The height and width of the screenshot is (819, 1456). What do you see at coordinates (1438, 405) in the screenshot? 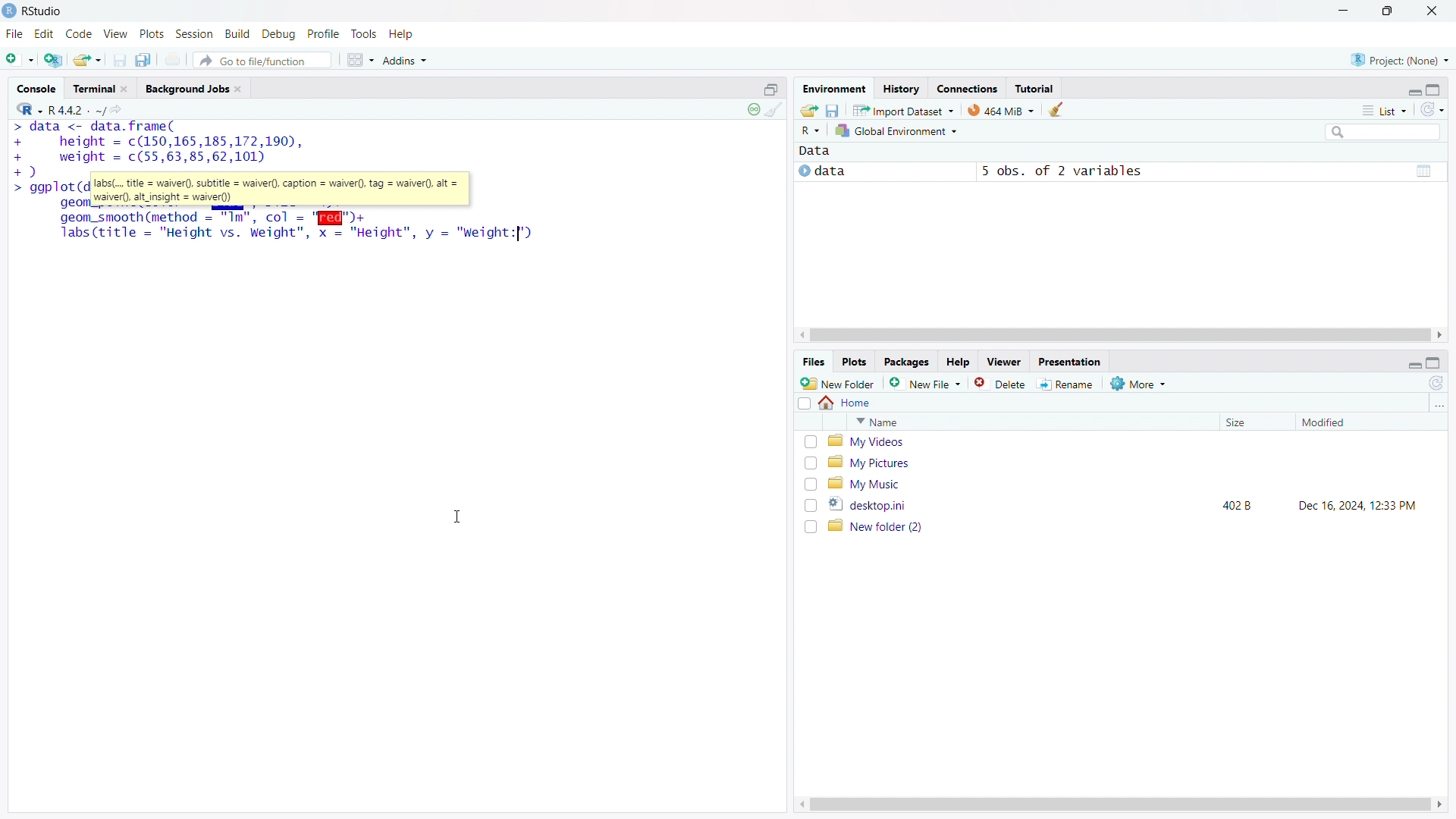
I see `go to directory` at bounding box center [1438, 405].